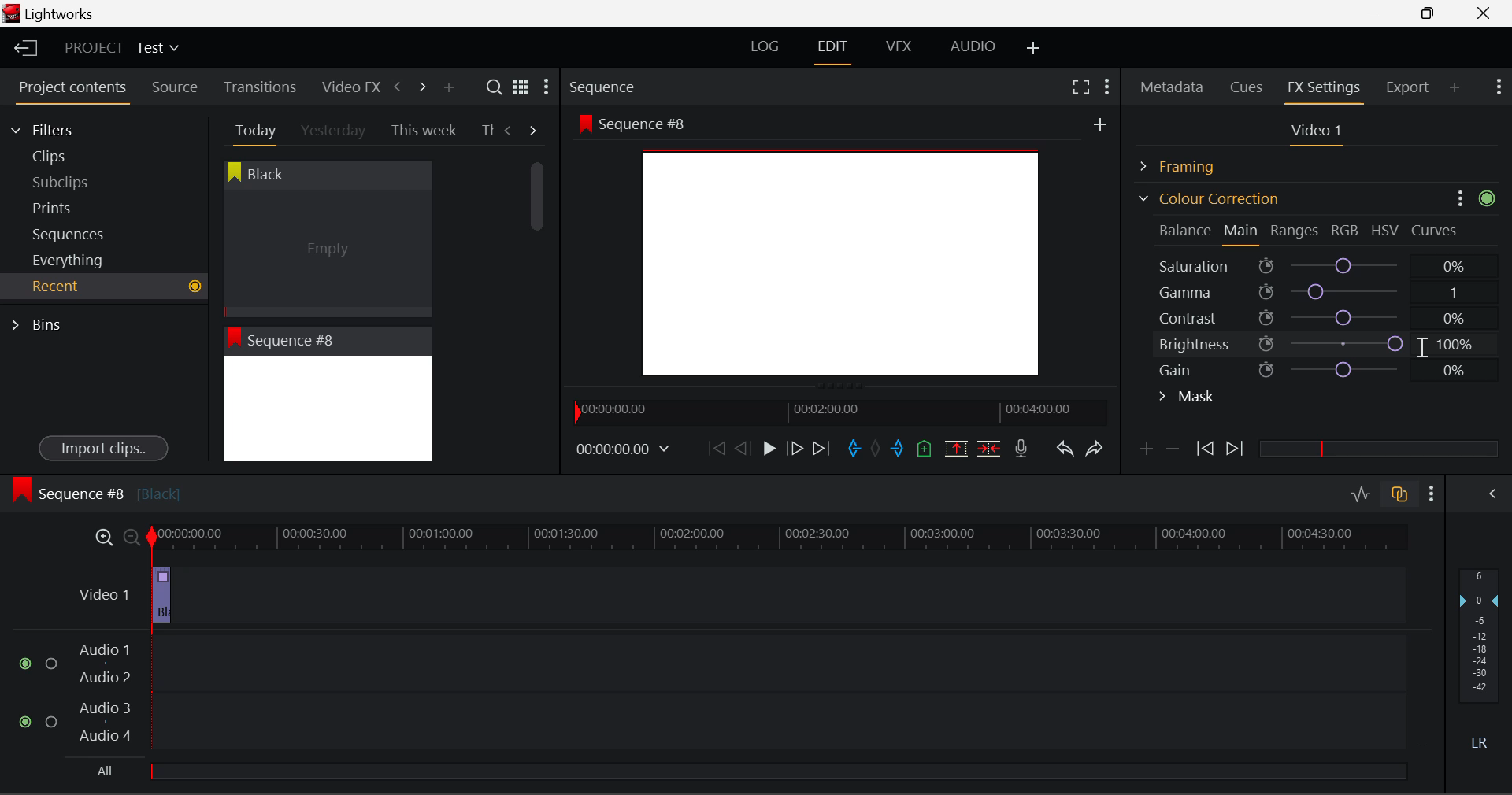 This screenshot has height=795, width=1512. I want to click on Project Title, so click(122, 49).